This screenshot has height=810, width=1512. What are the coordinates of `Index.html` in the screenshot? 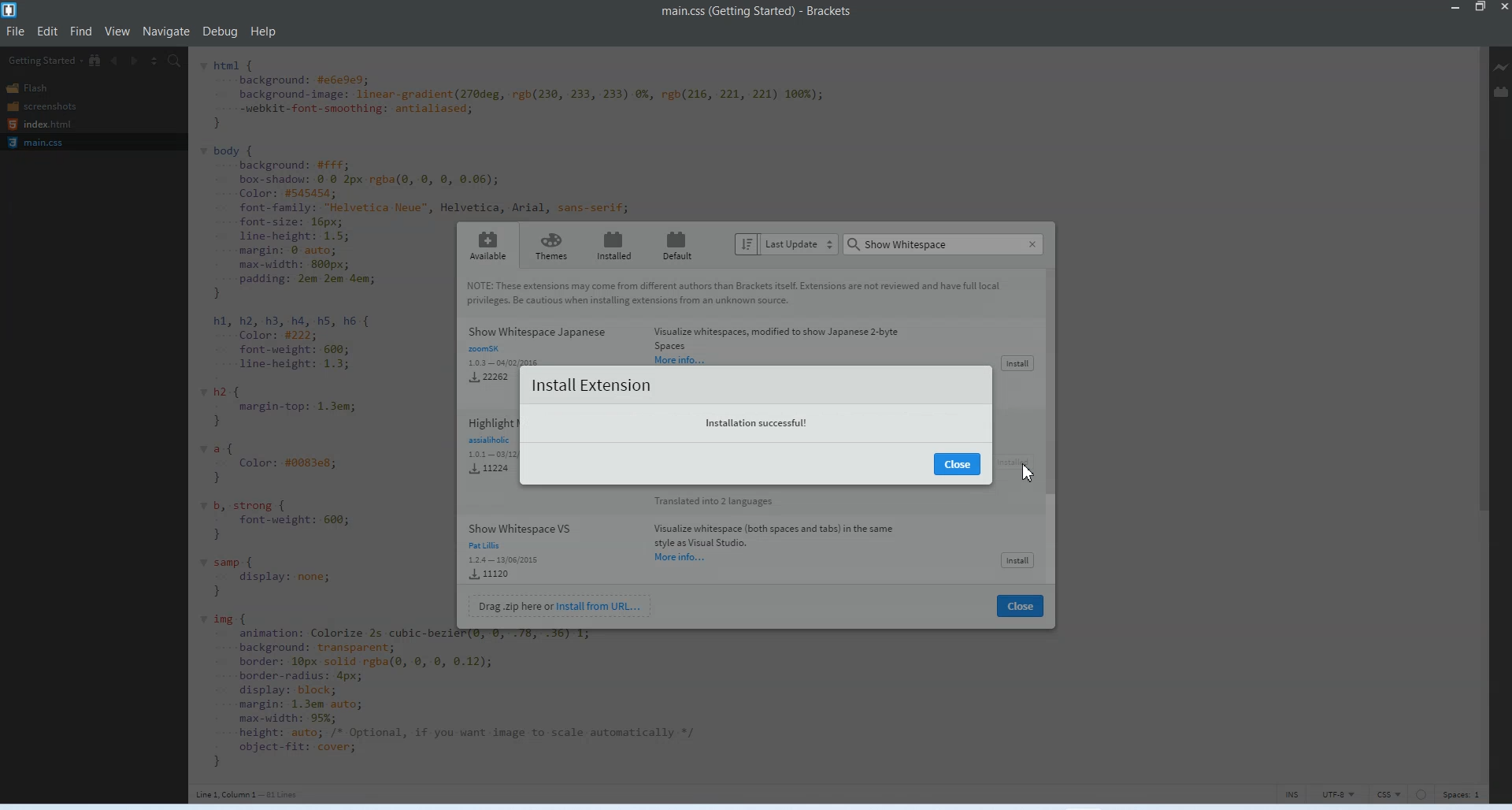 It's located at (39, 125).